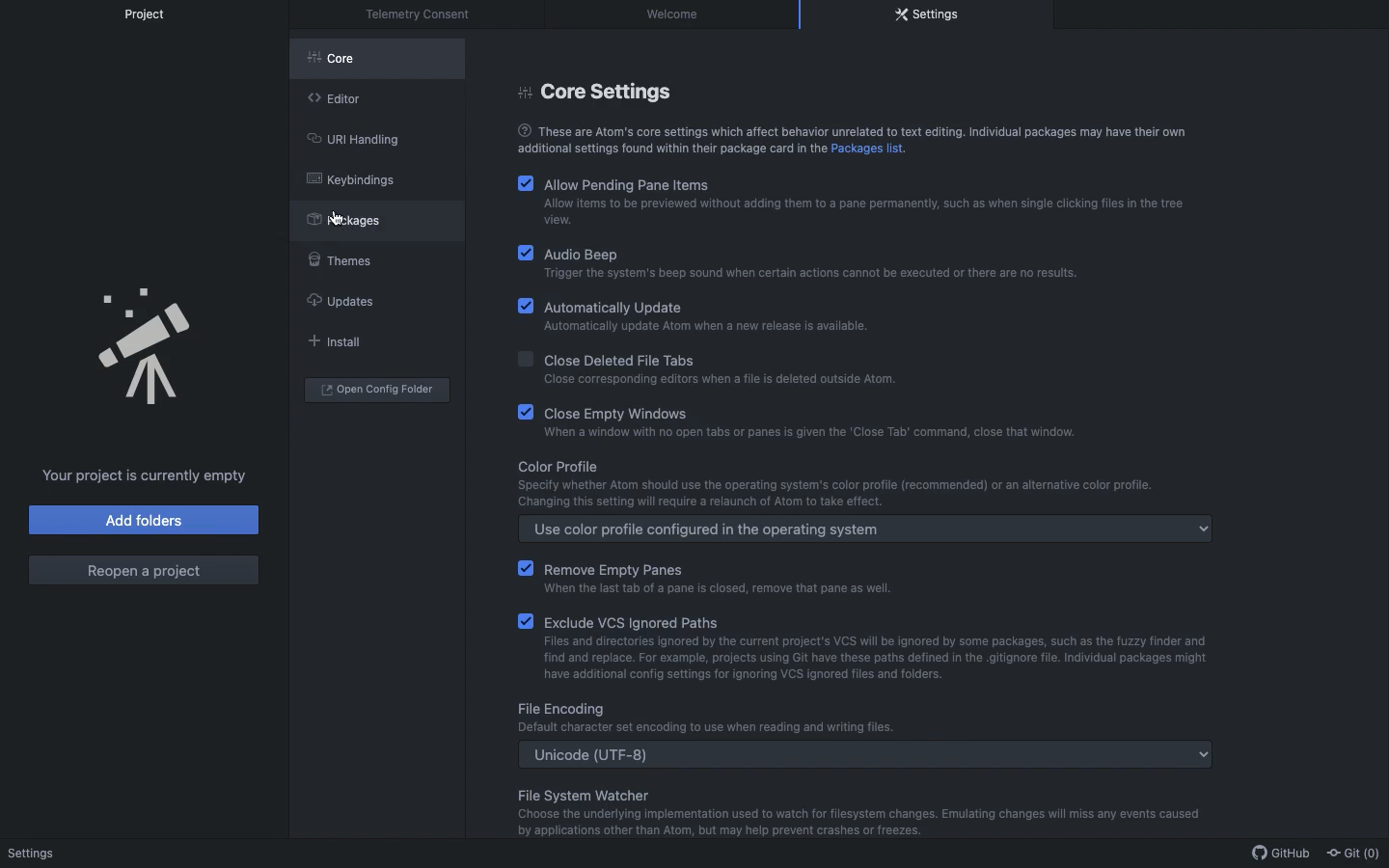 This screenshot has width=1389, height=868. What do you see at coordinates (152, 14) in the screenshot?
I see `project ` at bounding box center [152, 14].